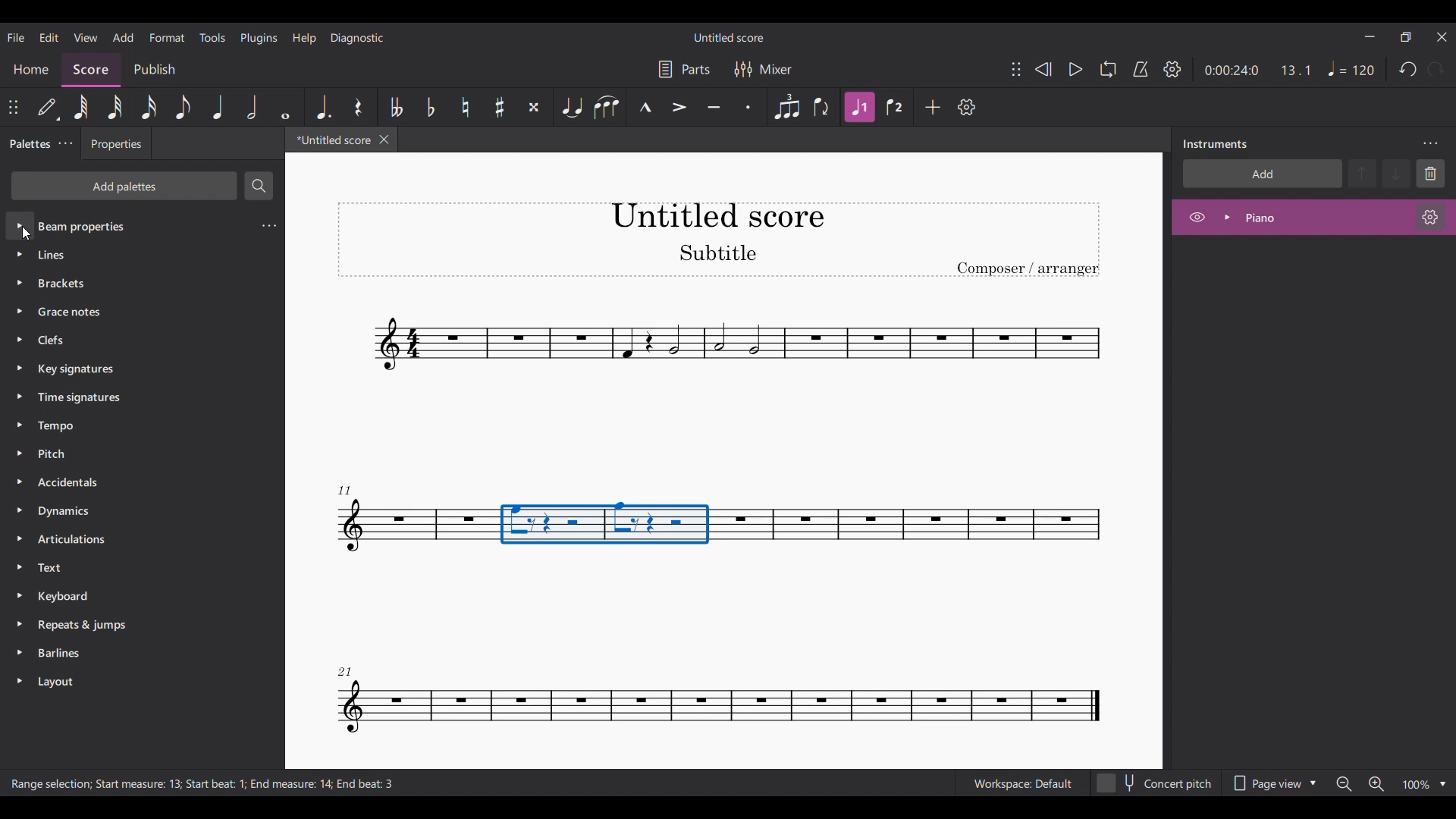  What do you see at coordinates (124, 37) in the screenshot?
I see `Add menu` at bounding box center [124, 37].